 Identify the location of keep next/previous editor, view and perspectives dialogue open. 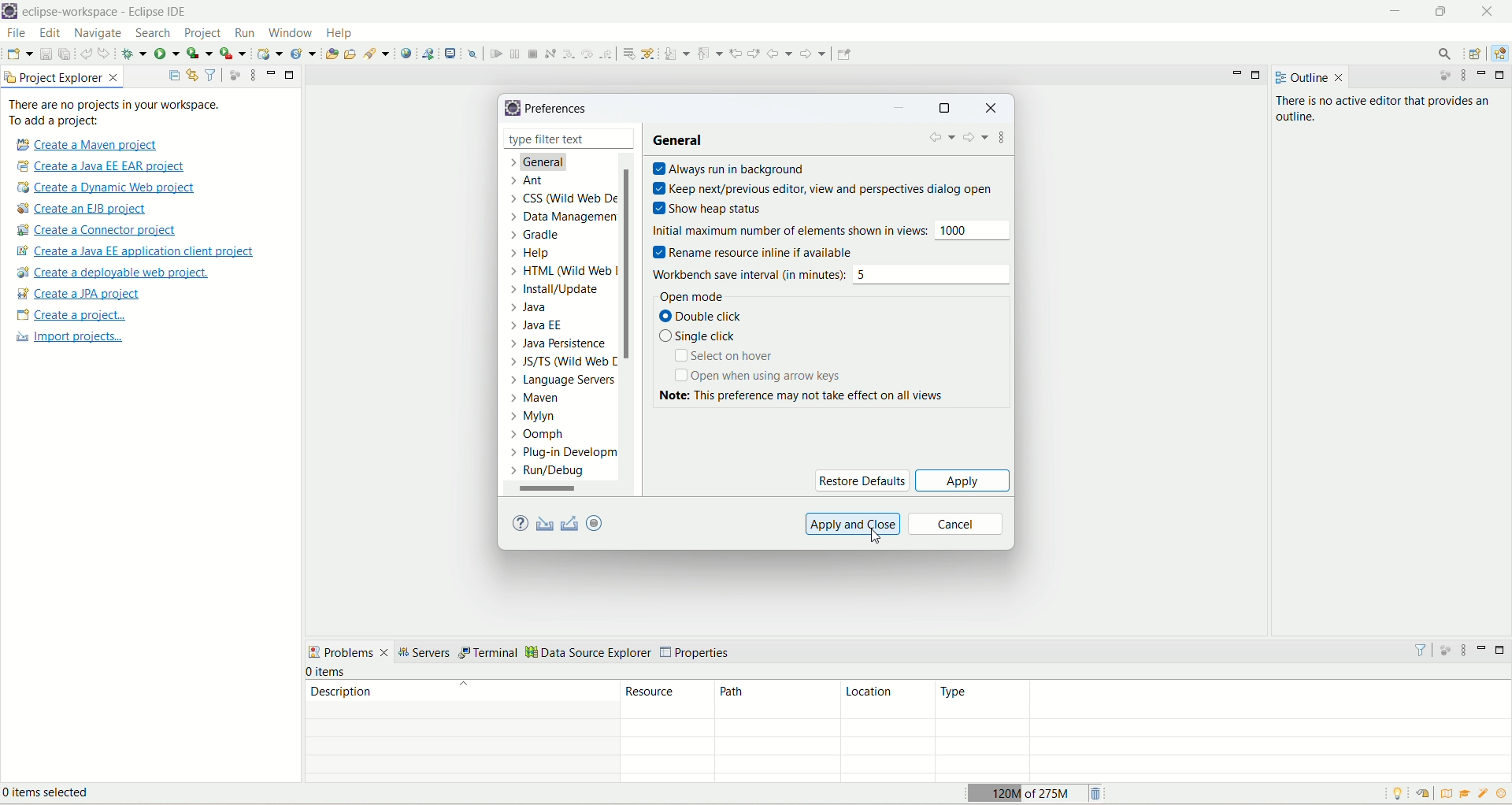
(822, 187).